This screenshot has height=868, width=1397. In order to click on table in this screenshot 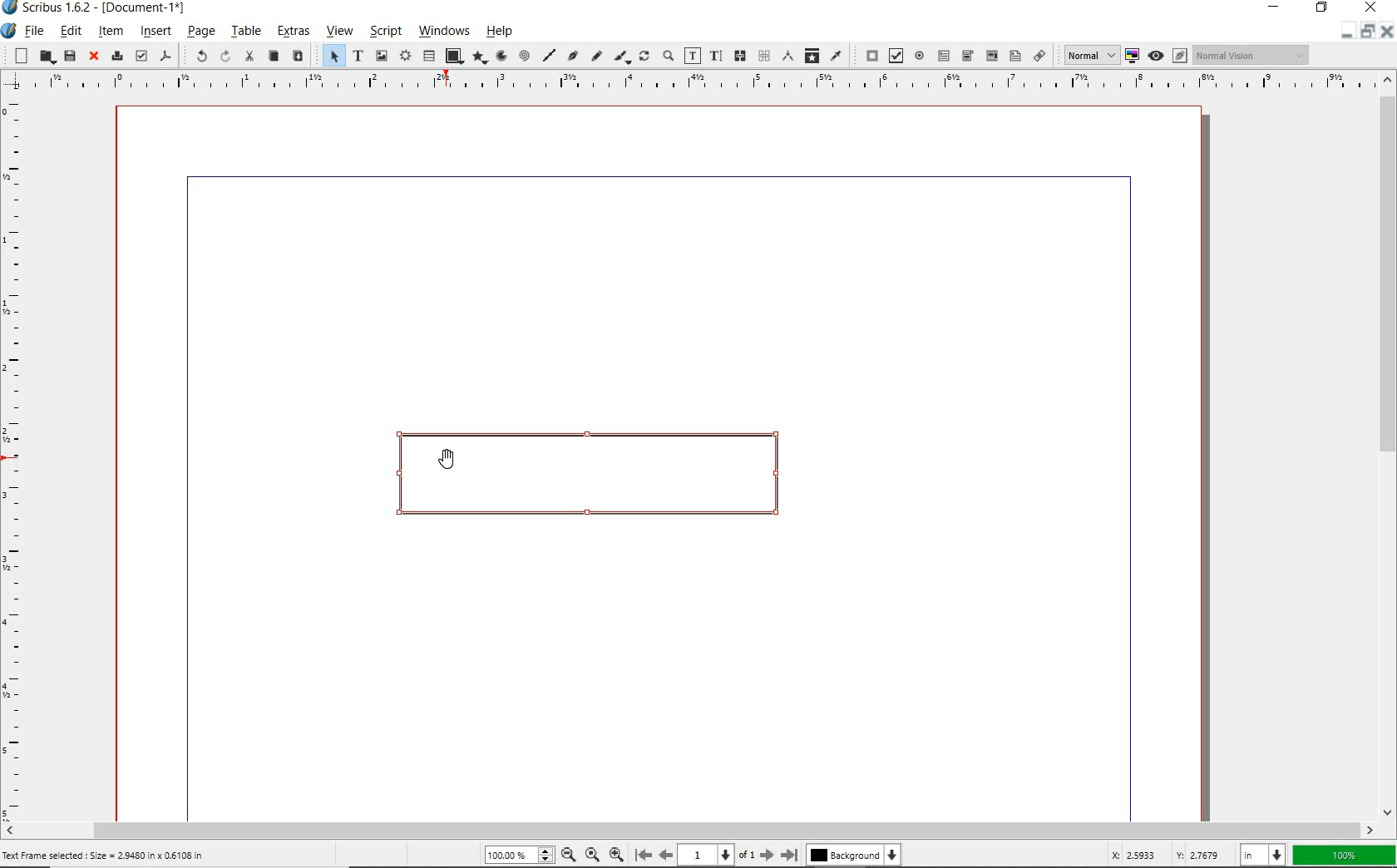, I will do `click(245, 32)`.